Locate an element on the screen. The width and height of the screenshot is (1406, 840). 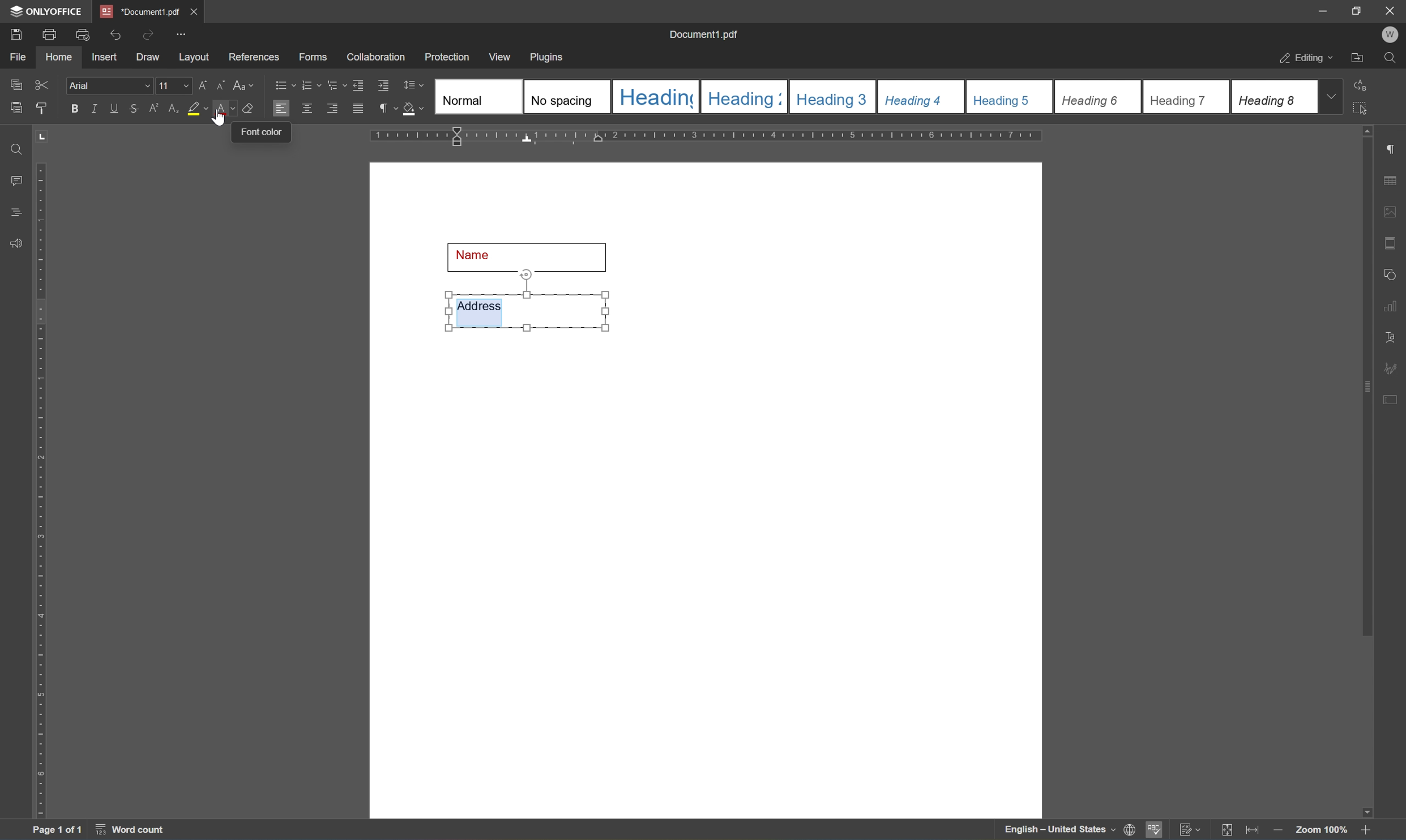
file is located at coordinates (22, 57).